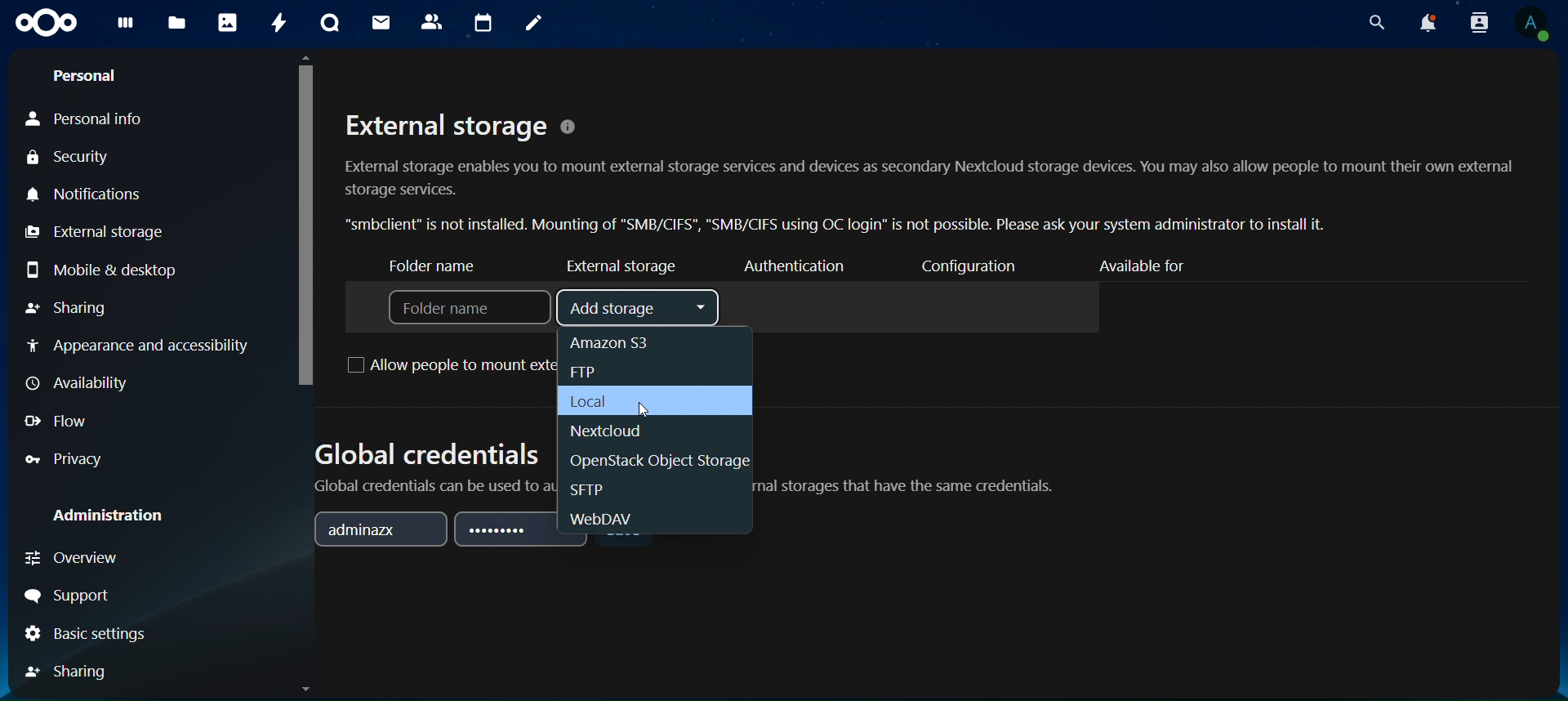 This screenshot has height=701, width=1568. What do you see at coordinates (598, 372) in the screenshot?
I see `ftp` at bounding box center [598, 372].